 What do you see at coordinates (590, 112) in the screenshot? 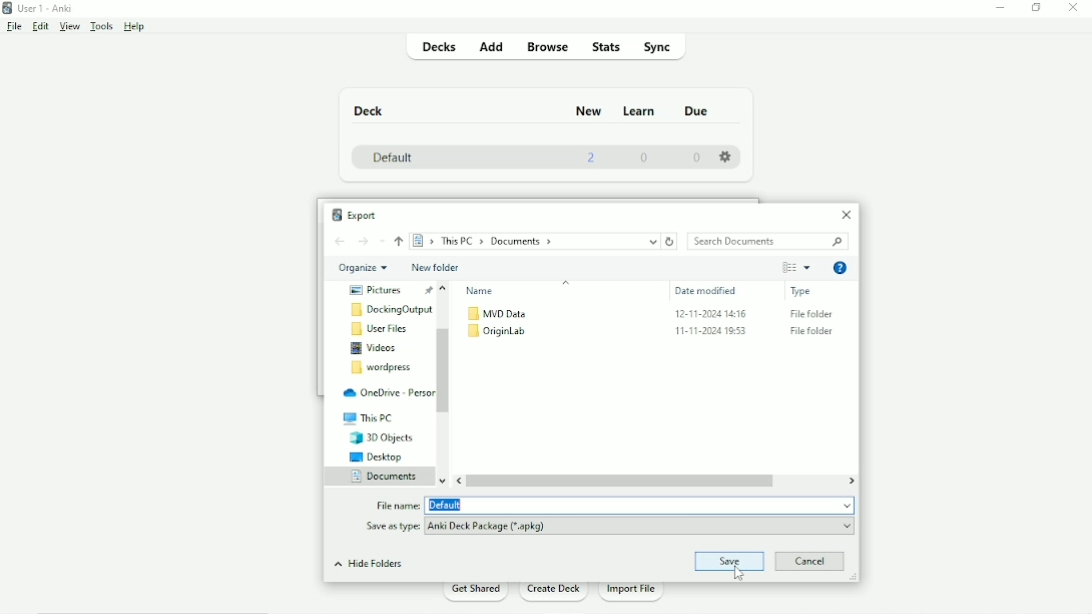
I see `New` at bounding box center [590, 112].